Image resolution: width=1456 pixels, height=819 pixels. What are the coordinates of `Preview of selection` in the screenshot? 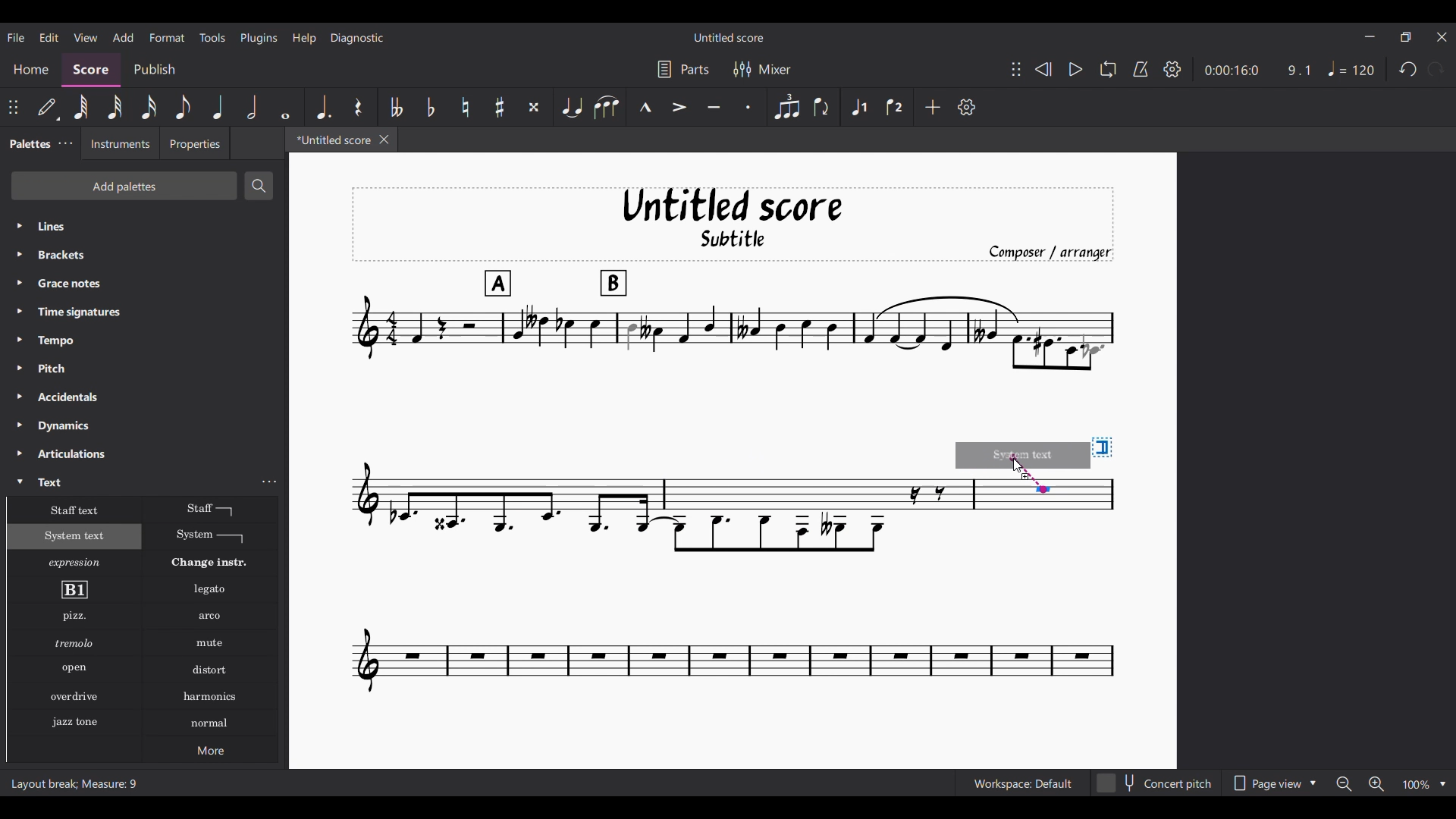 It's located at (1023, 456).